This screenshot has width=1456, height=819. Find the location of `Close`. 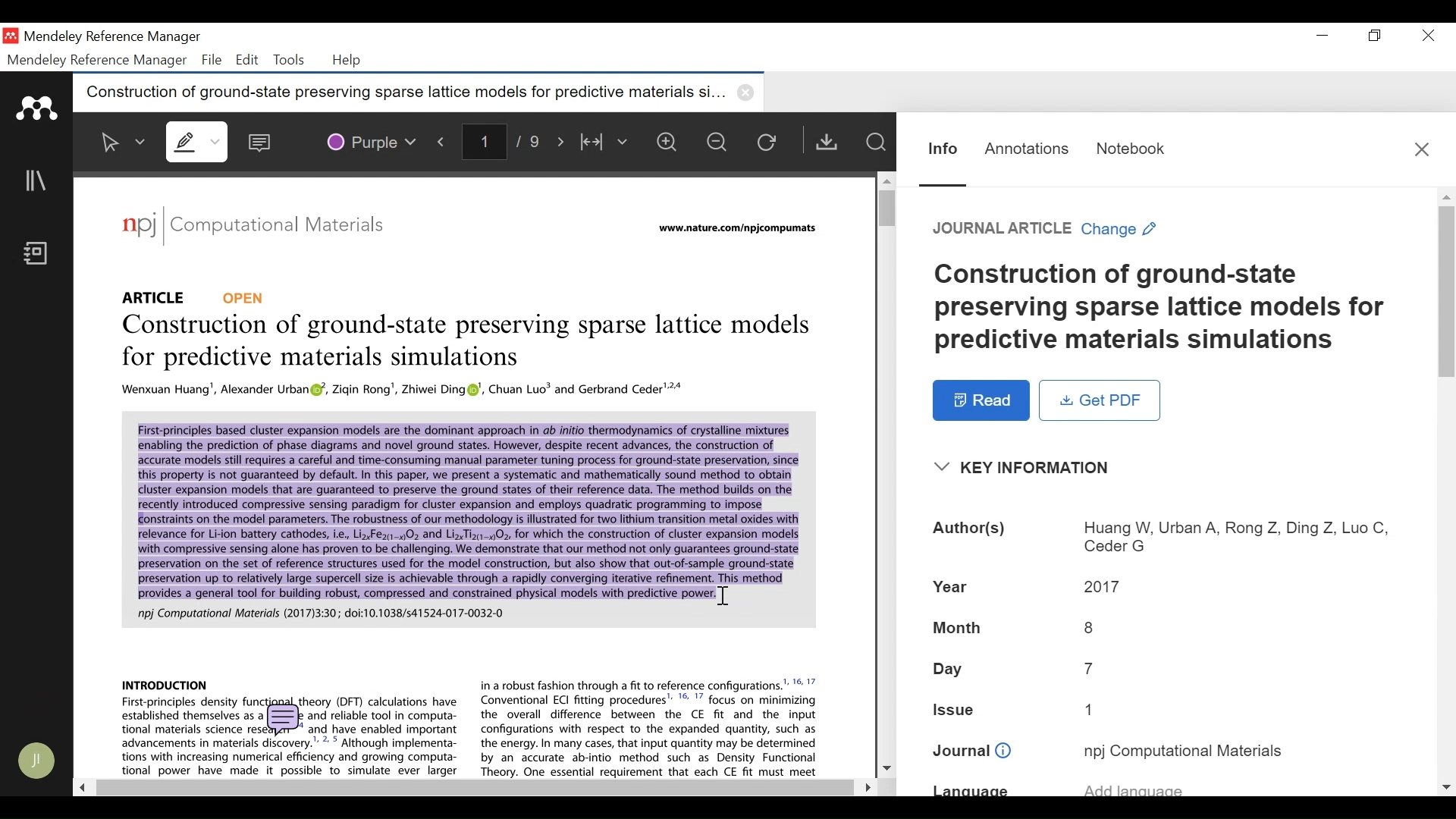

Close is located at coordinates (1425, 36).